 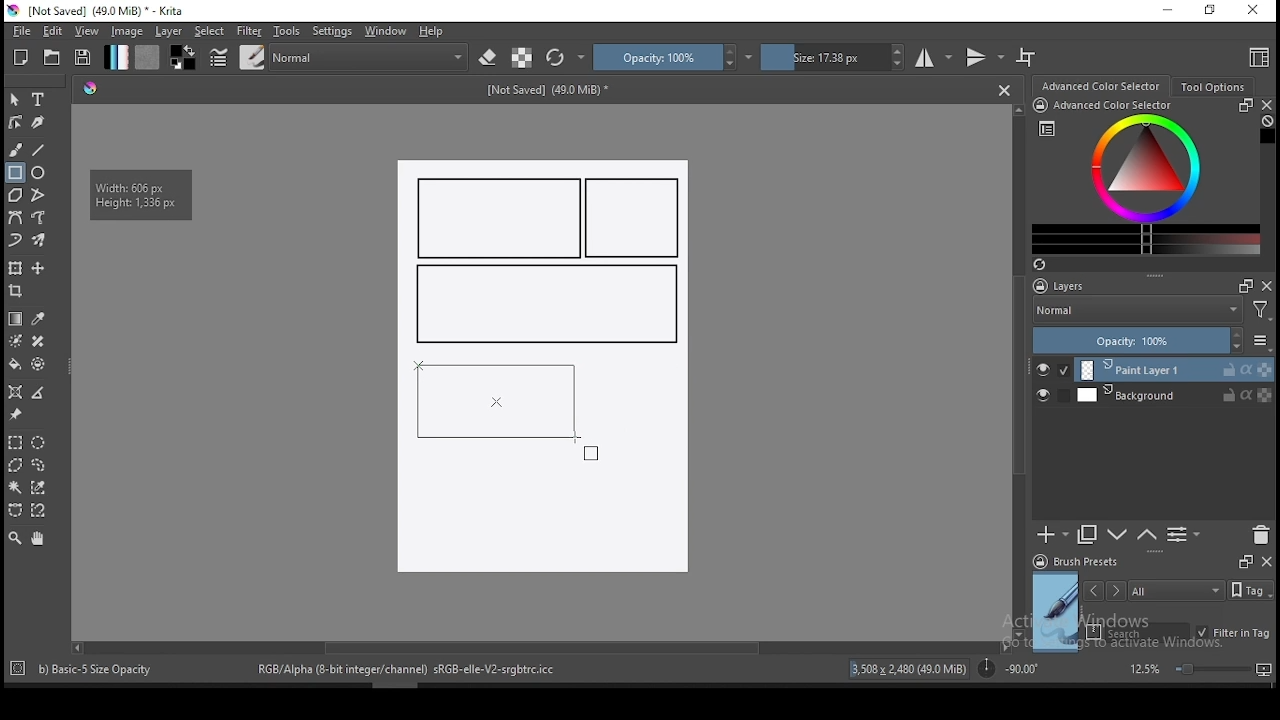 I want to click on help, so click(x=435, y=32).